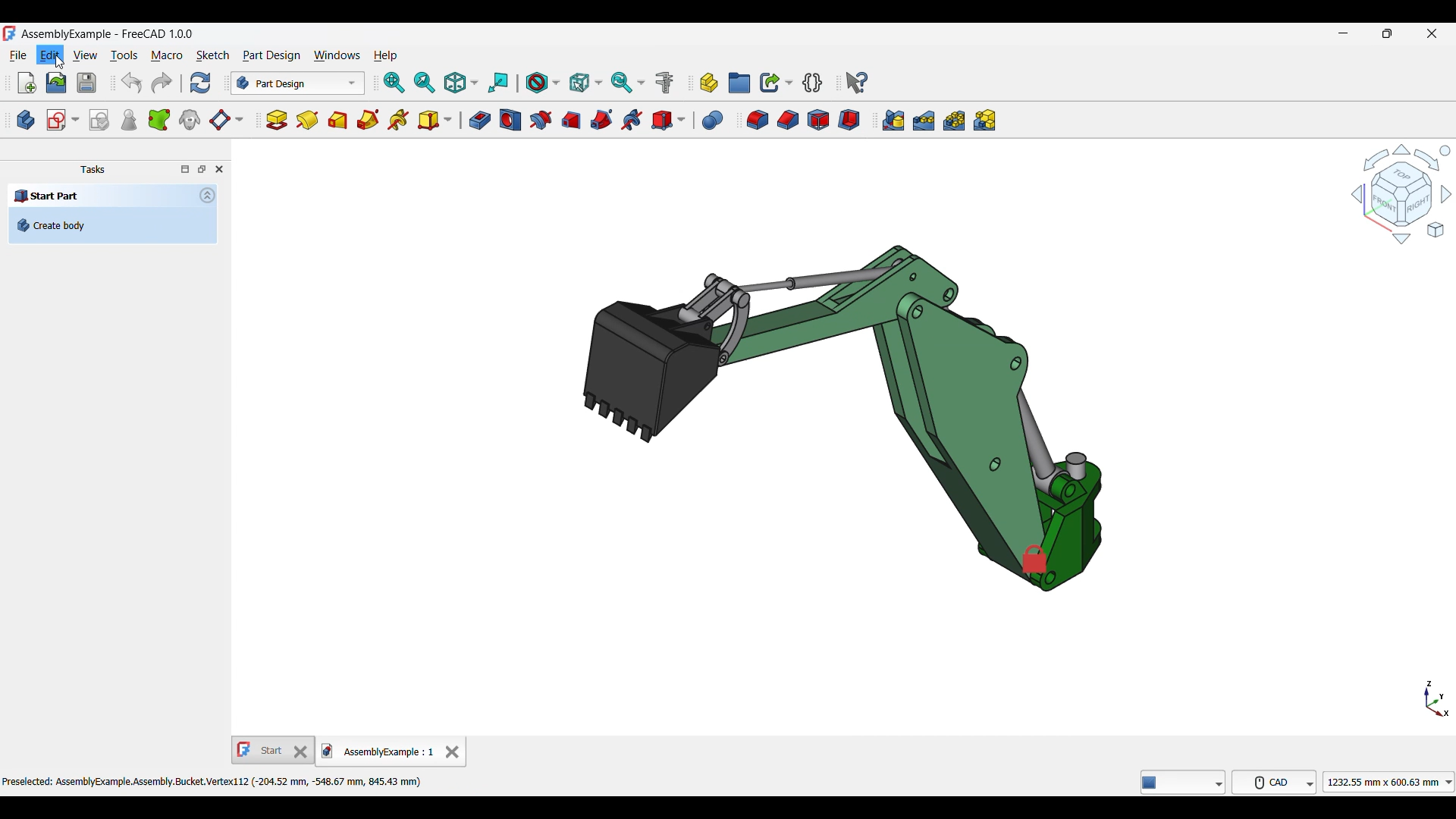 The height and width of the screenshot is (819, 1456). I want to click on Macro menu, so click(167, 56).